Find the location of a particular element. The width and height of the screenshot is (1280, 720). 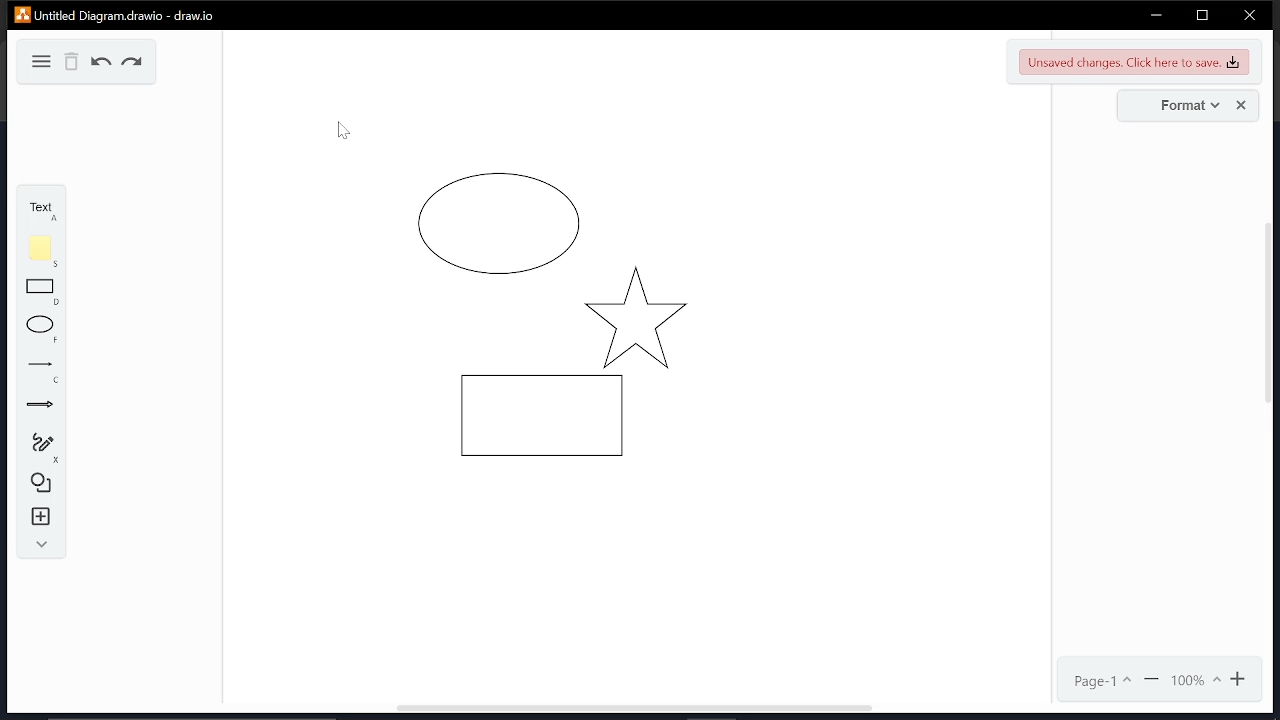

100% is located at coordinates (1195, 680).